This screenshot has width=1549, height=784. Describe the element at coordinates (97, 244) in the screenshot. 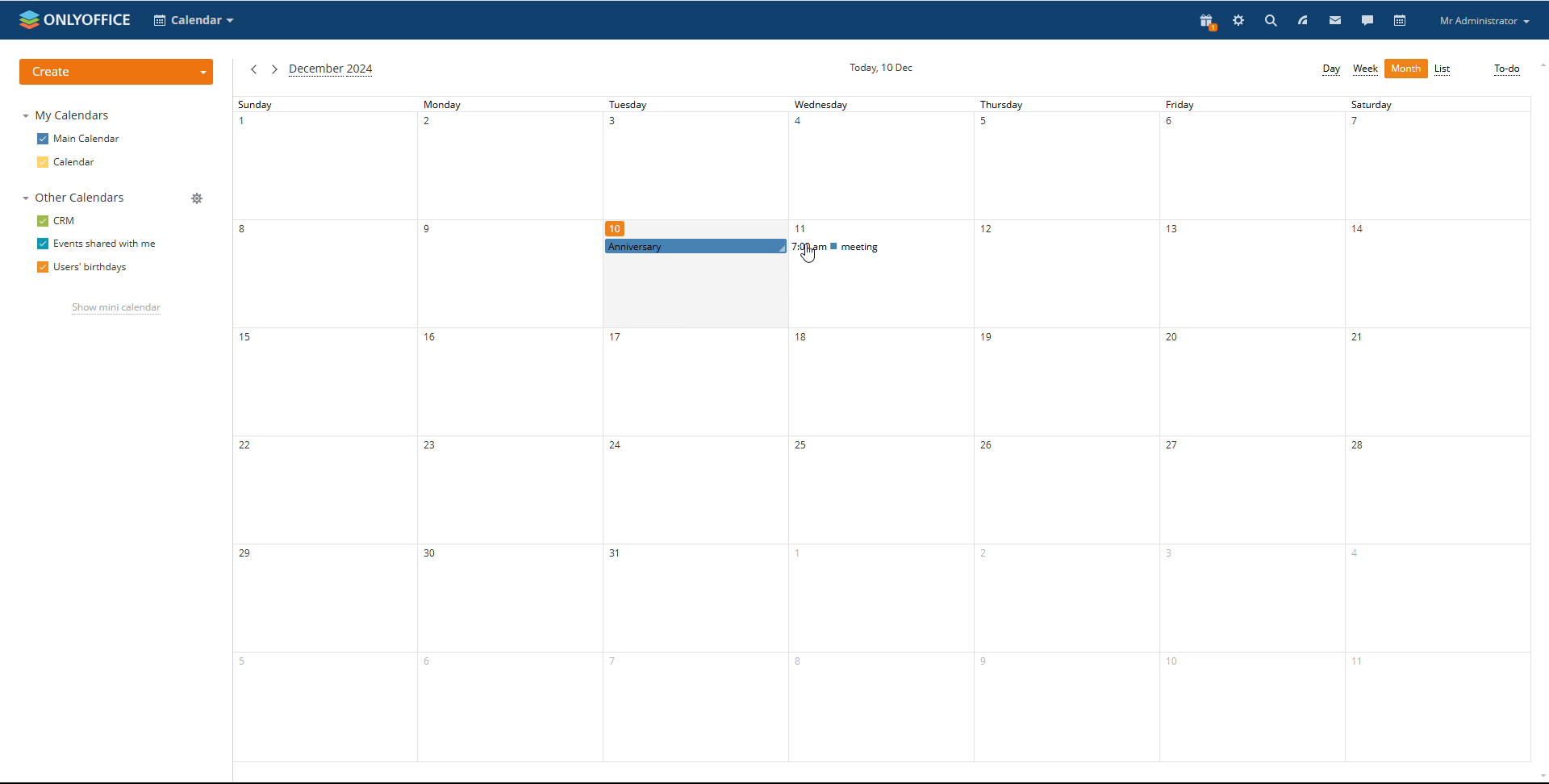

I see `events shared with me` at that location.